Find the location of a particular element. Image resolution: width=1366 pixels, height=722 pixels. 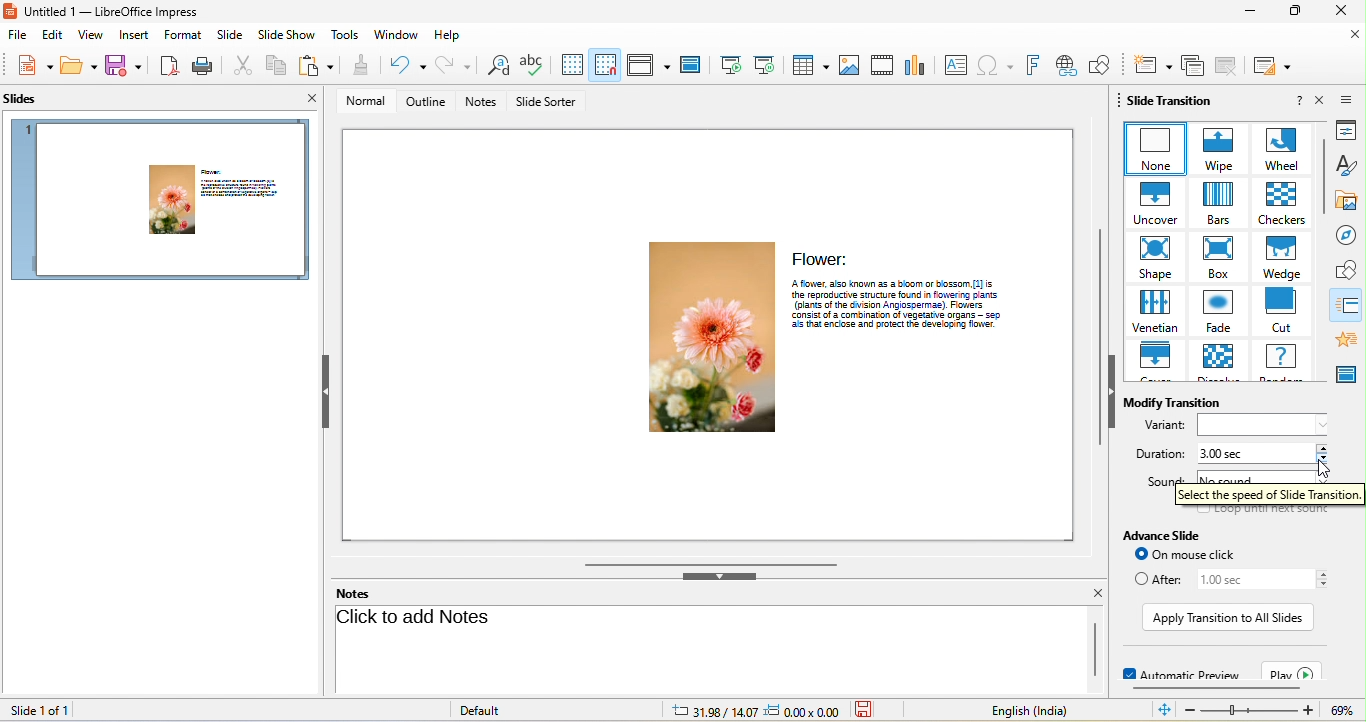

text language is located at coordinates (1040, 712).